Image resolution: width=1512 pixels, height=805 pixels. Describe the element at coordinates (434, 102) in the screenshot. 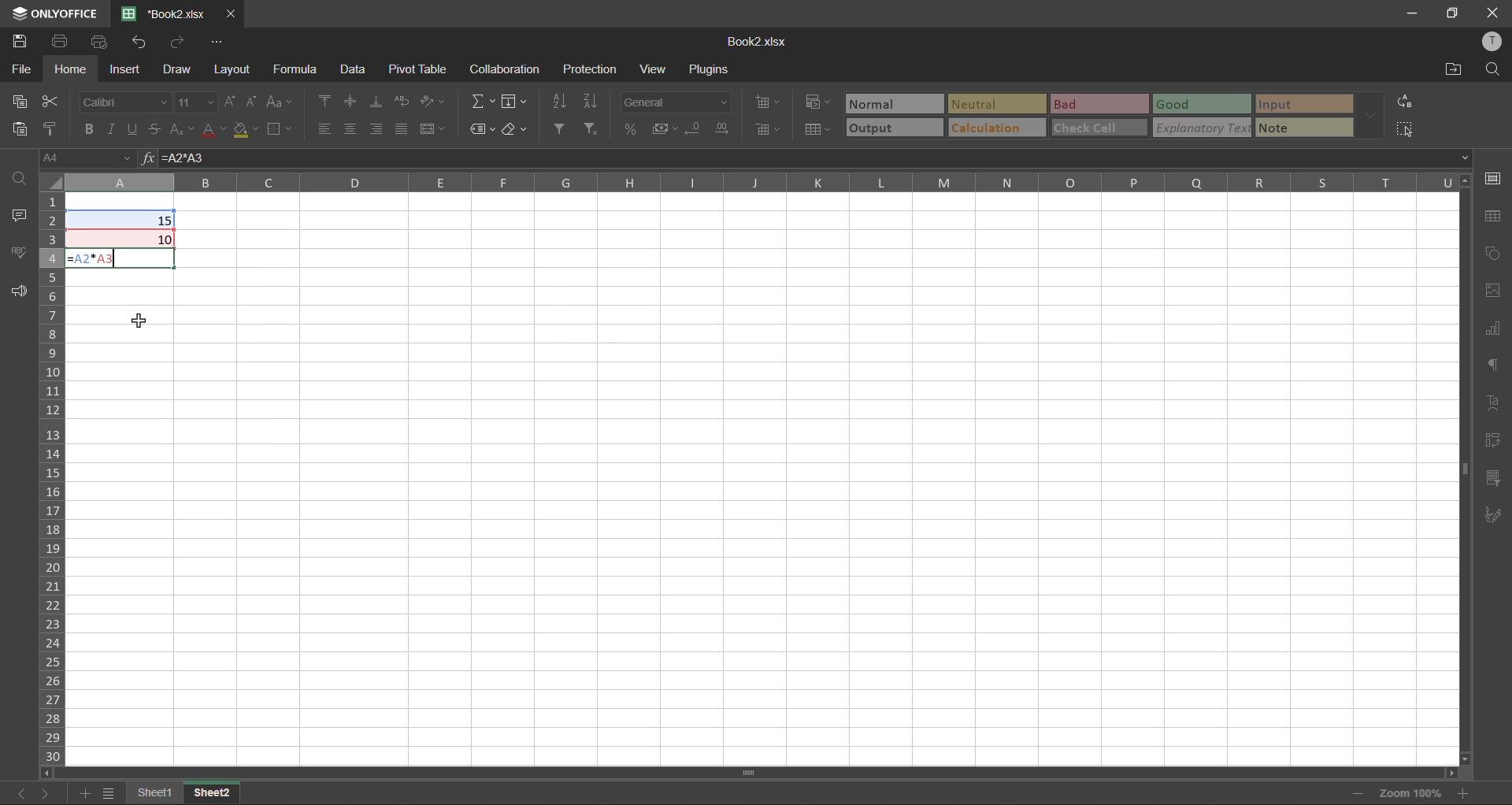

I see `orientation` at that location.